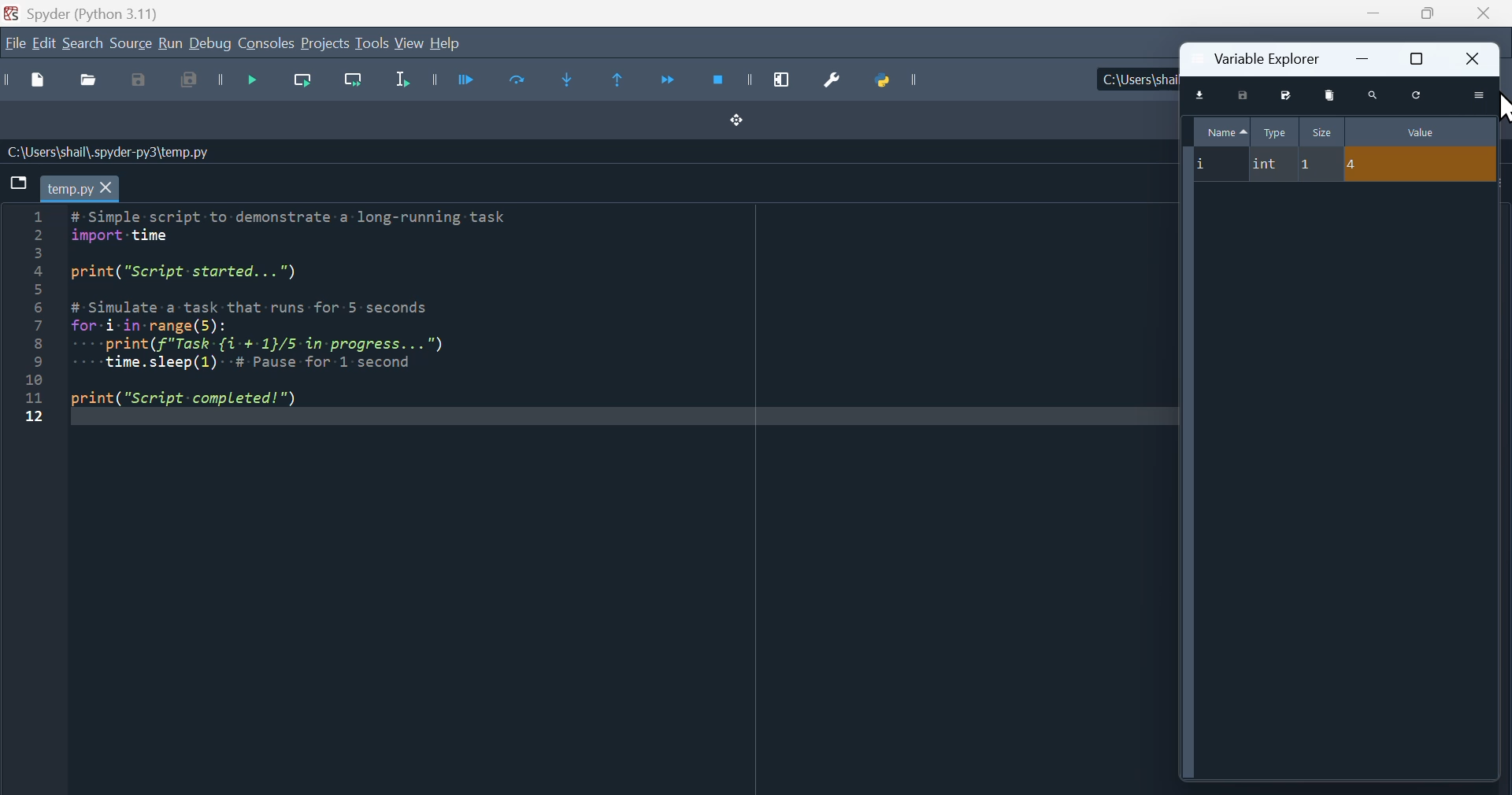 This screenshot has width=1512, height=795. What do you see at coordinates (728, 80) in the screenshot?
I see `Stop debugging` at bounding box center [728, 80].